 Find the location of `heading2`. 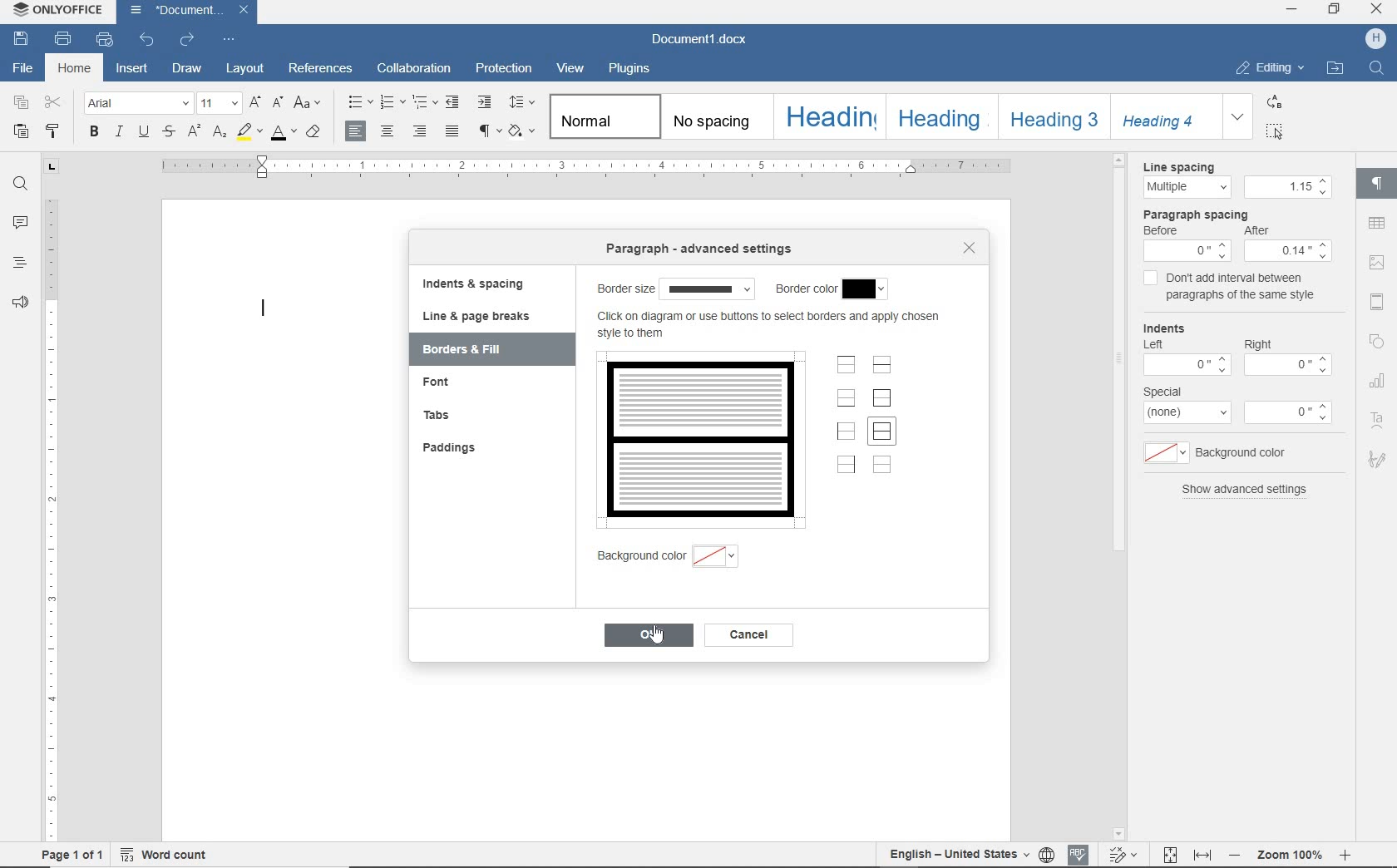

heading2 is located at coordinates (939, 119).